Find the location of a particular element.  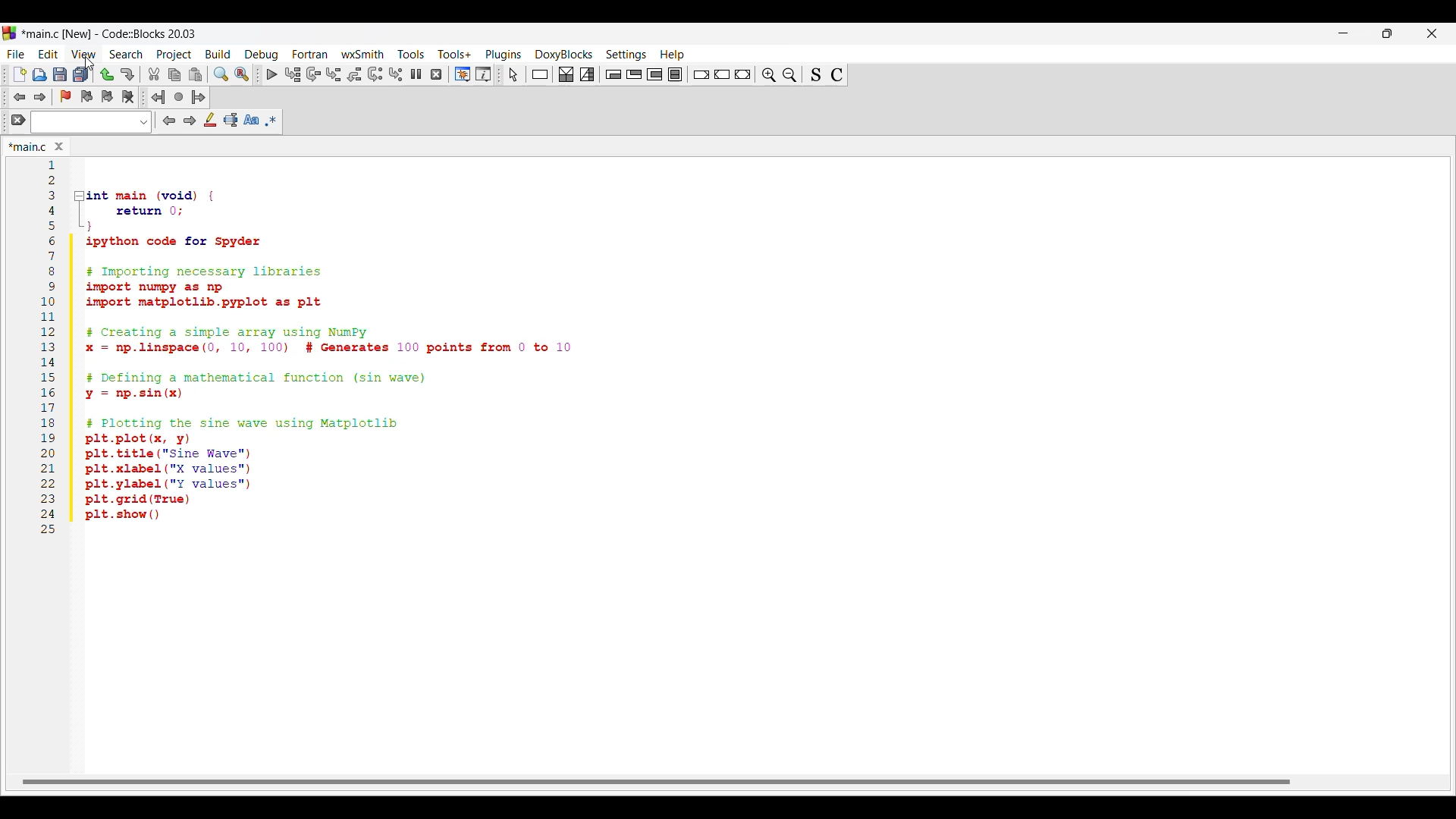

Entry condition loop is located at coordinates (613, 74).